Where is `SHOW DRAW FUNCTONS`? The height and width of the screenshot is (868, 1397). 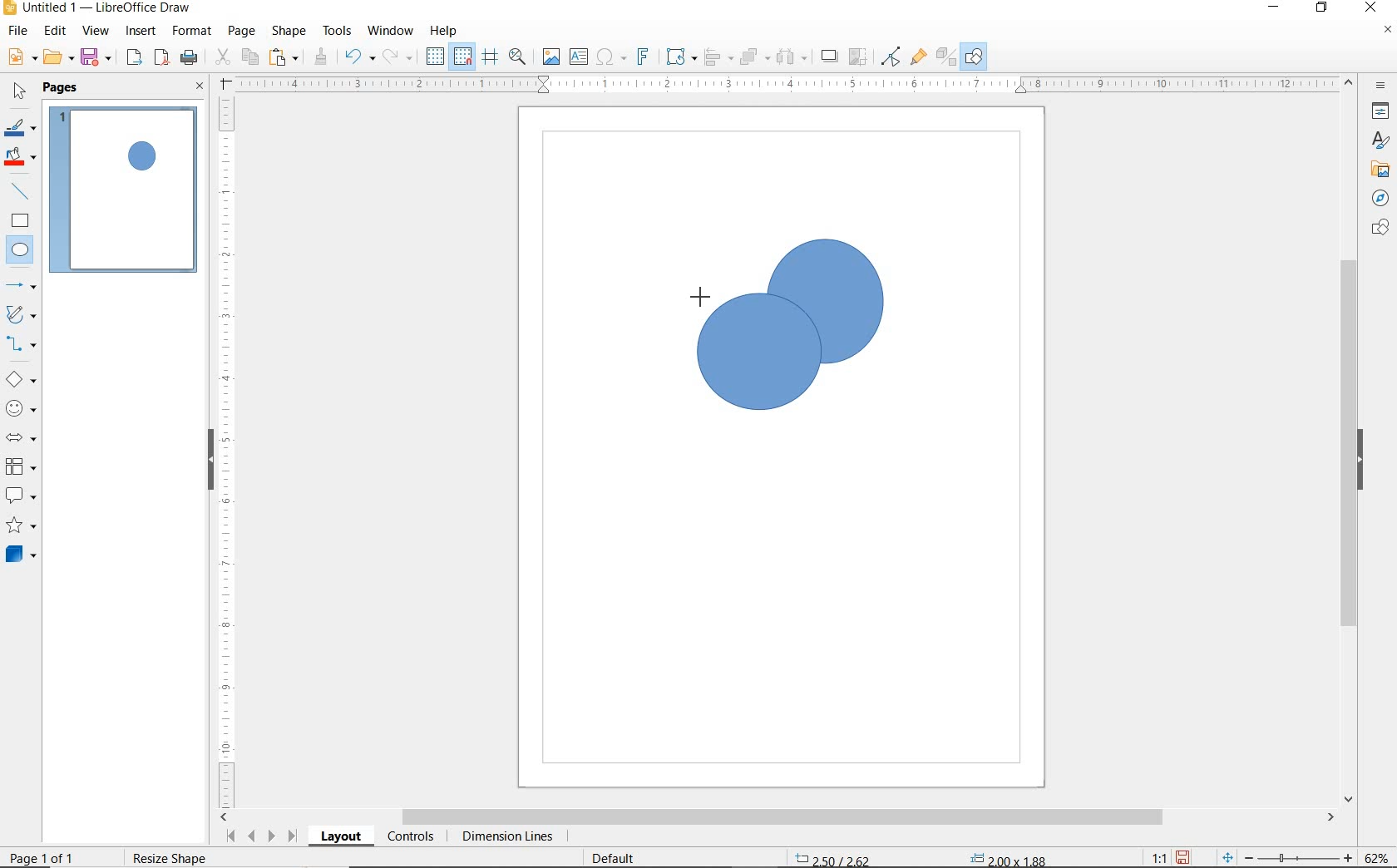
SHOW DRAW FUNCTONS is located at coordinates (974, 57).